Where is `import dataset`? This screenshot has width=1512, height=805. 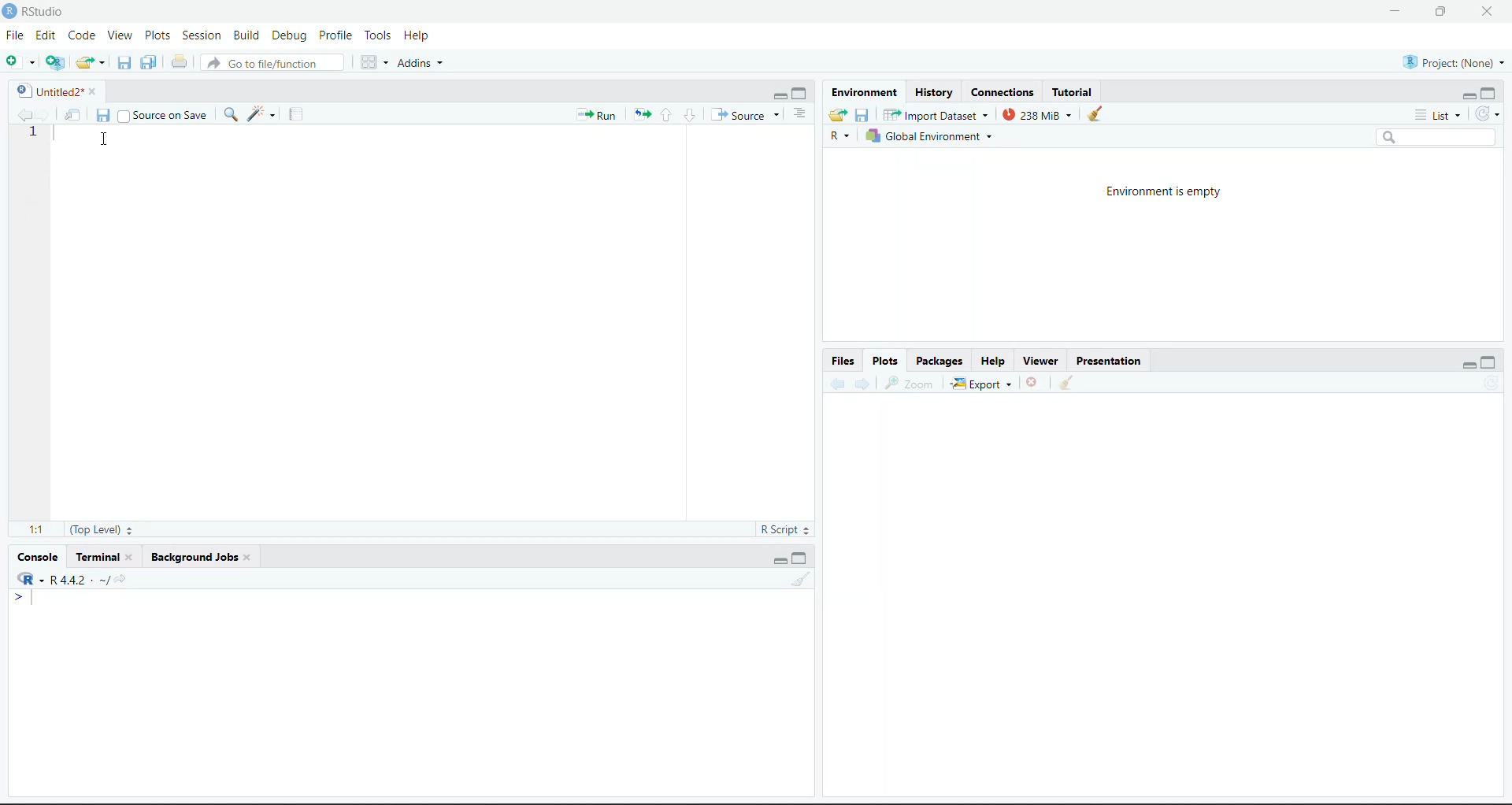 import dataset is located at coordinates (934, 115).